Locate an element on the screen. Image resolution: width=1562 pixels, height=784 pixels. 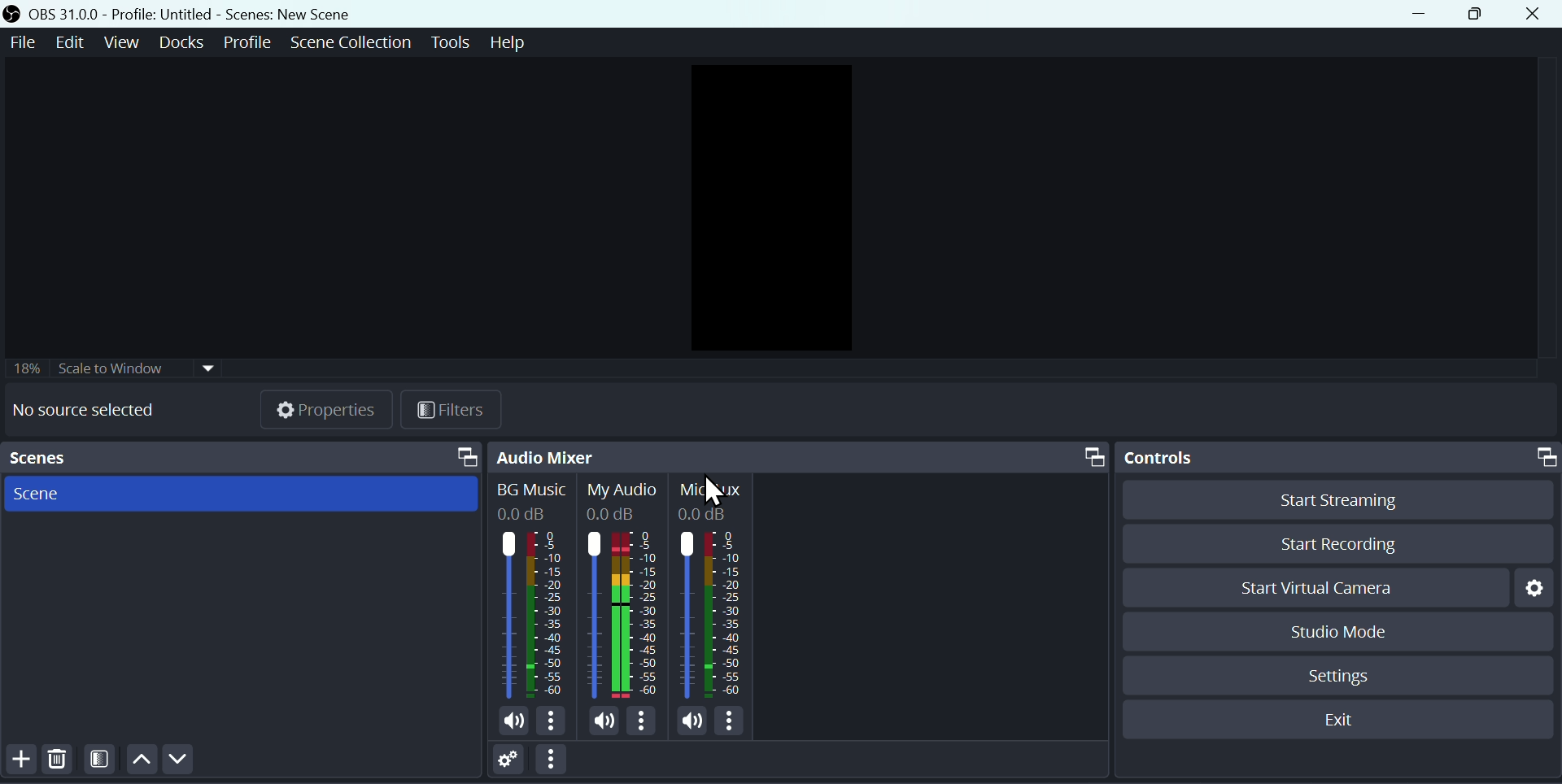
Edit is located at coordinates (73, 42).